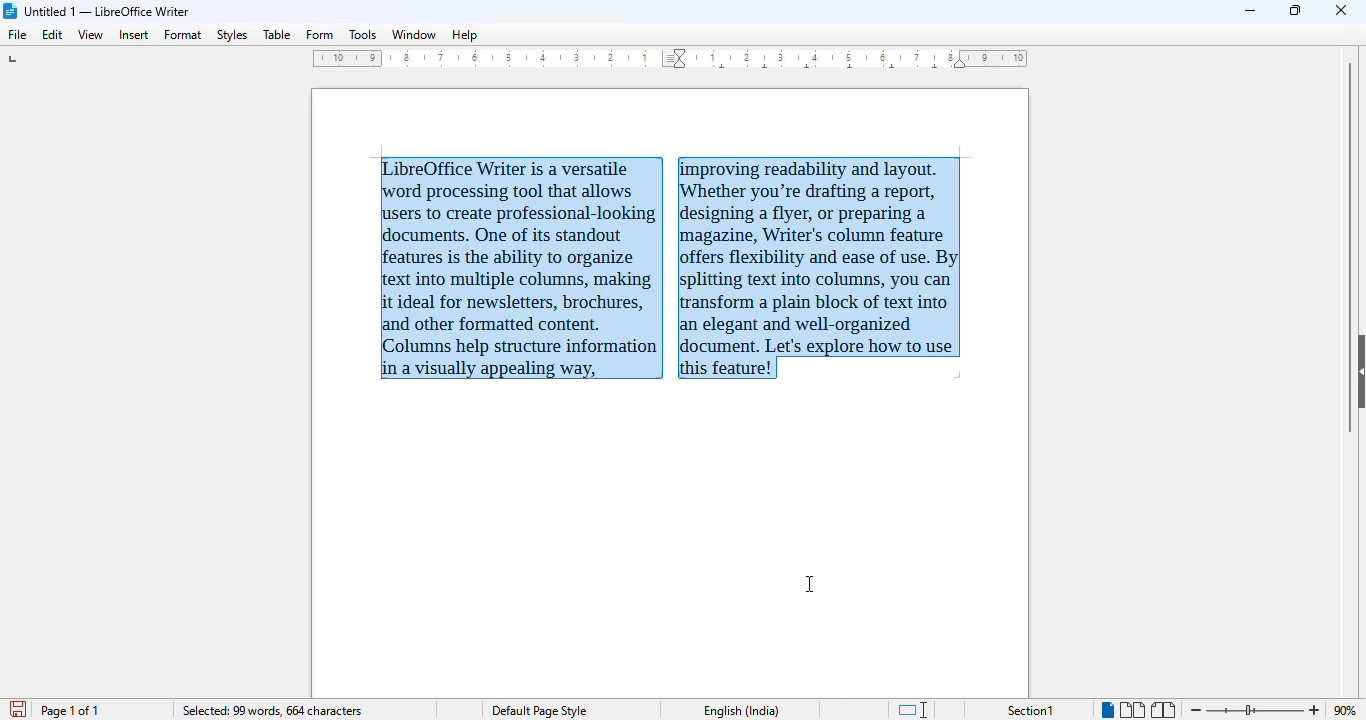 Image resolution: width=1366 pixels, height=720 pixels. Describe the element at coordinates (470, 60) in the screenshot. I see `ruler` at that location.